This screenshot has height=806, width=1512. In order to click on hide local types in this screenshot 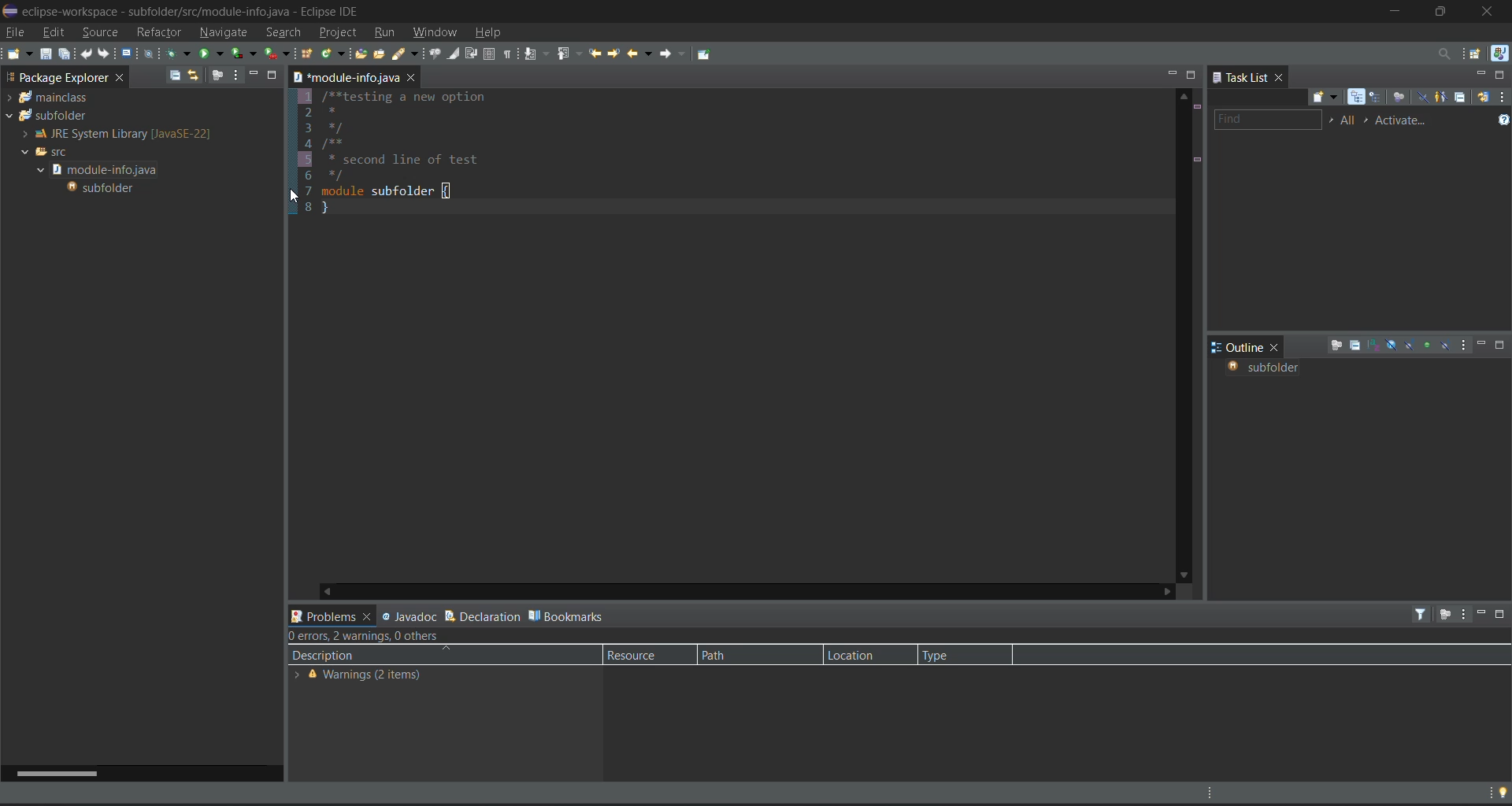, I will do `click(1445, 346)`.